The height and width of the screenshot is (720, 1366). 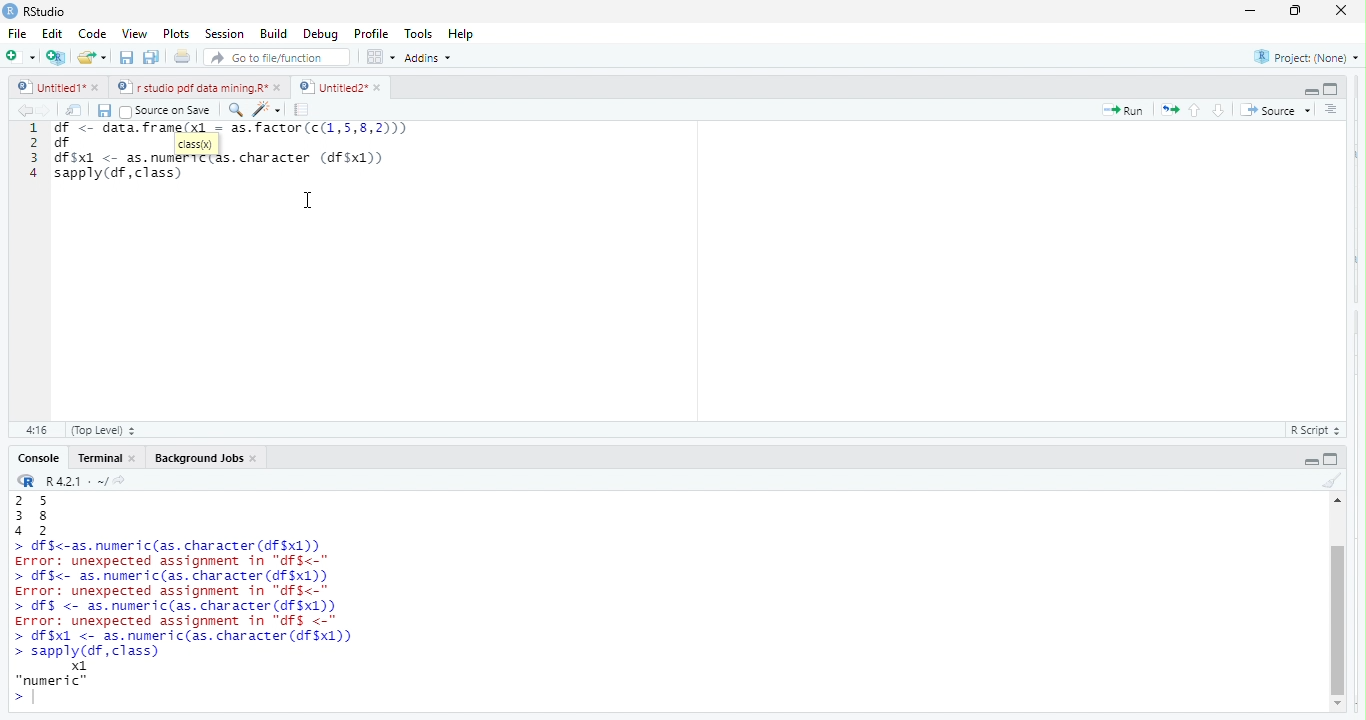 I want to click on save current document, so click(x=105, y=111).